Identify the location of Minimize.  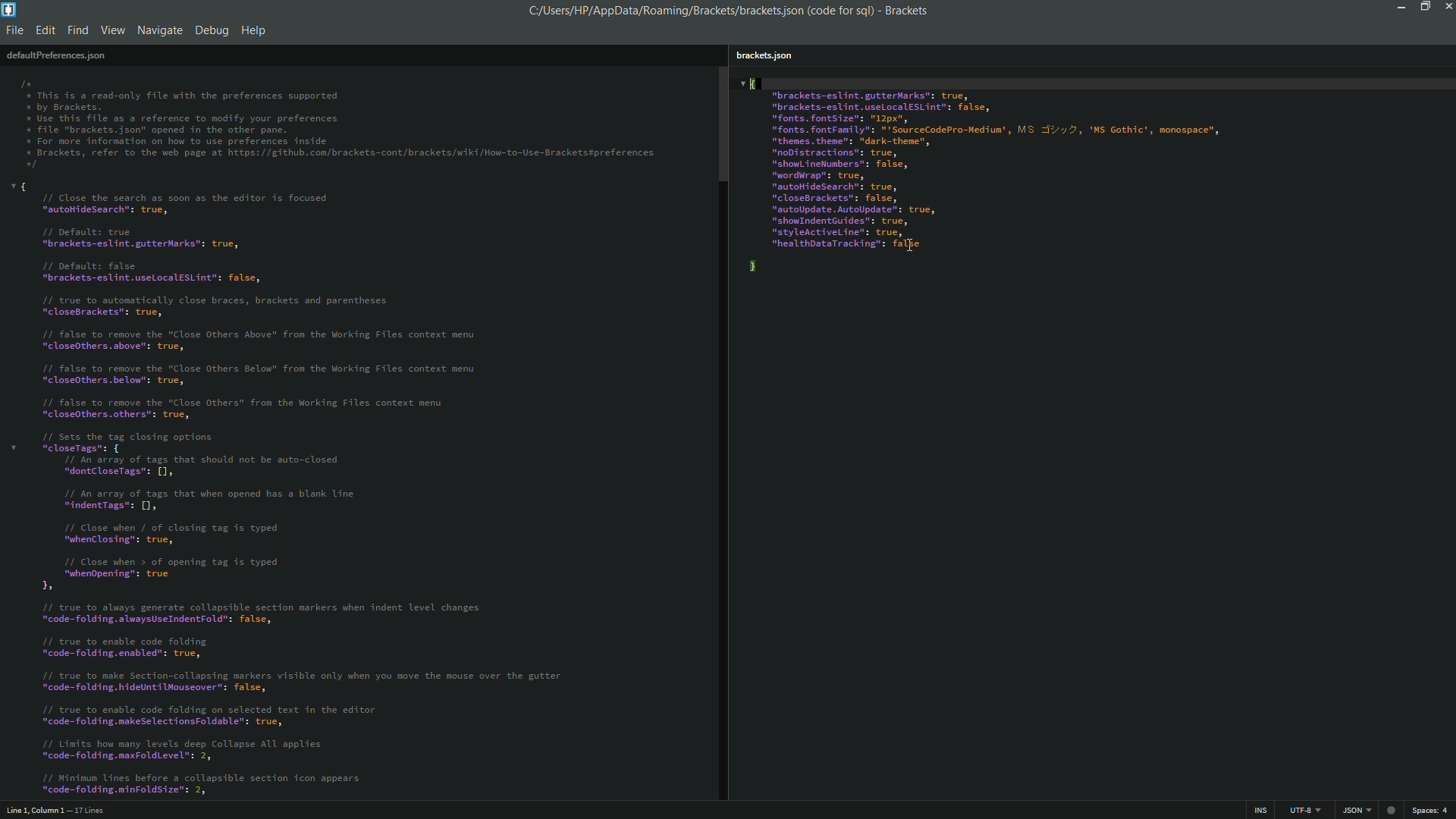
(1398, 6).